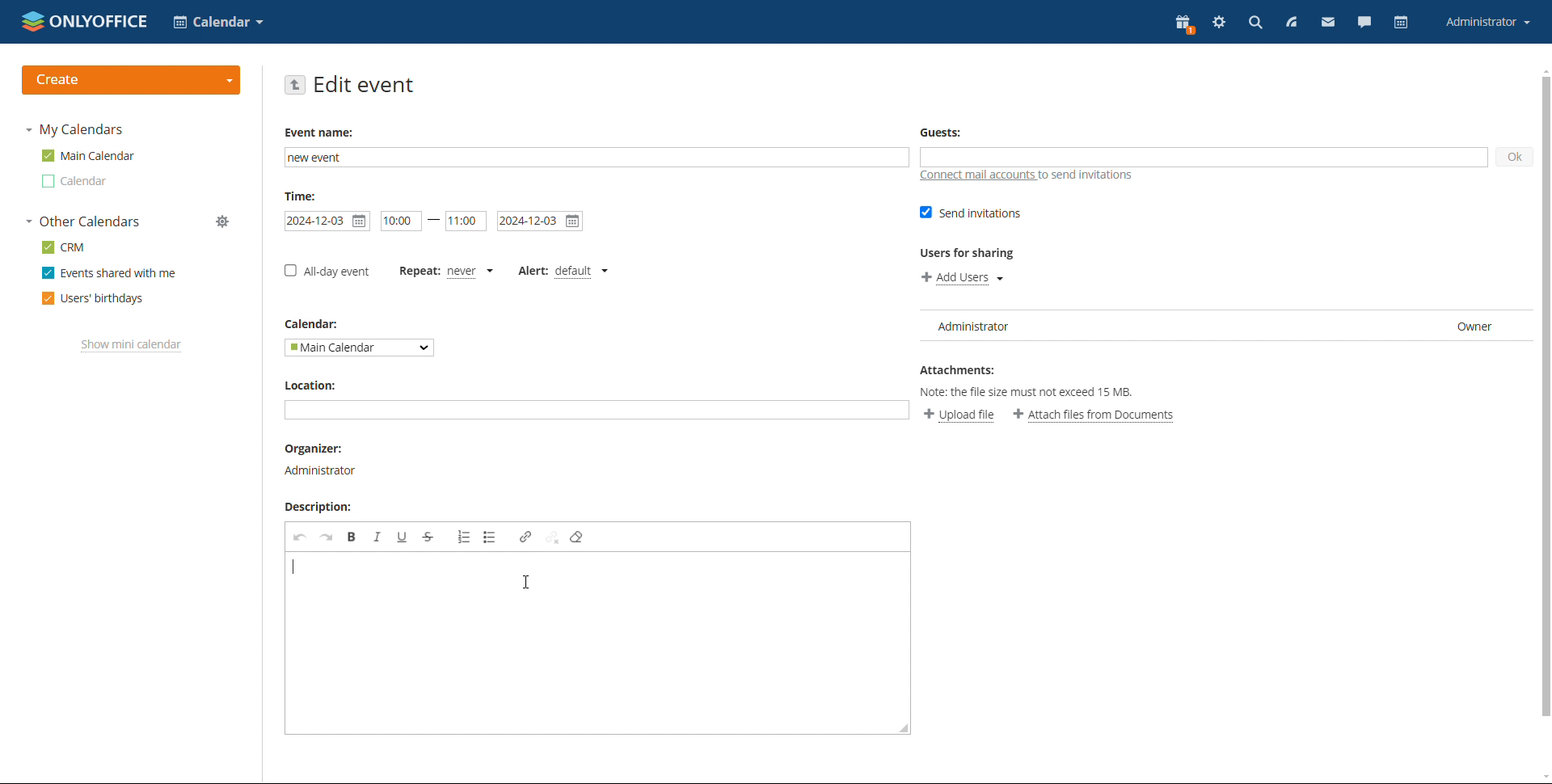  Describe the element at coordinates (132, 346) in the screenshot. I see `show mini calendar` at that location.